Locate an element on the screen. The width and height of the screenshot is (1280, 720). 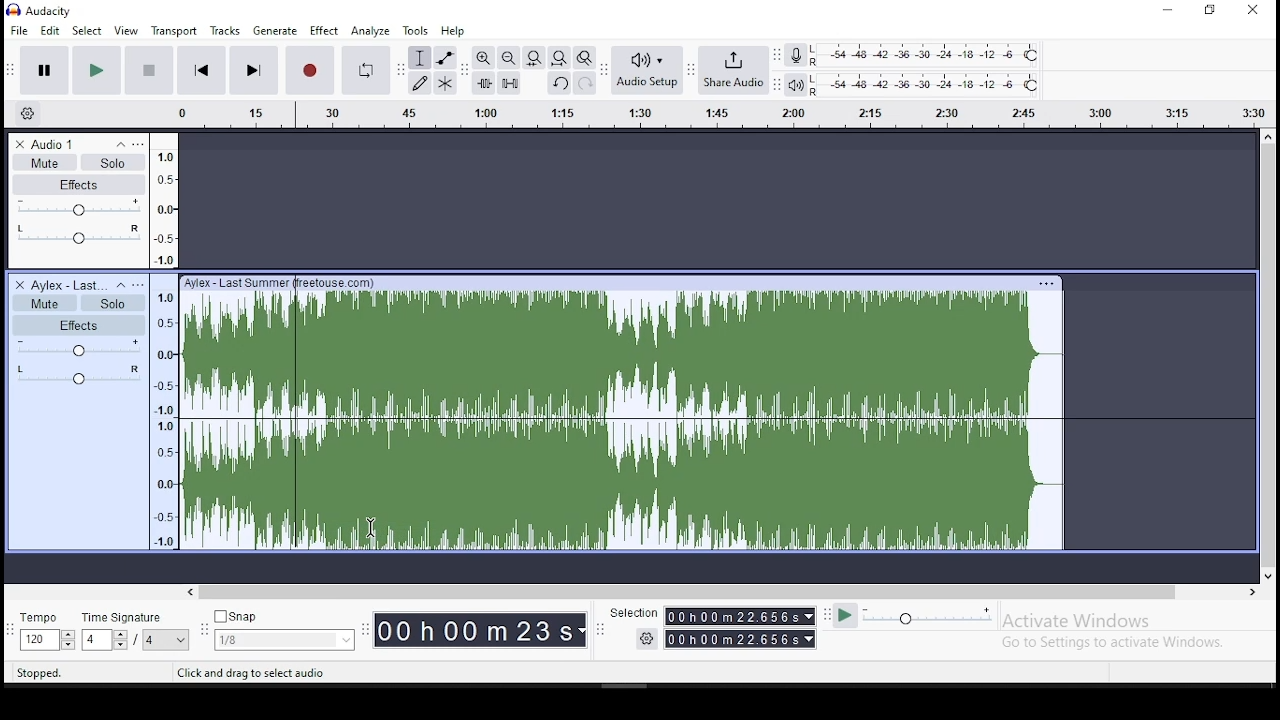
restore is located at coordinates (1211, 10).